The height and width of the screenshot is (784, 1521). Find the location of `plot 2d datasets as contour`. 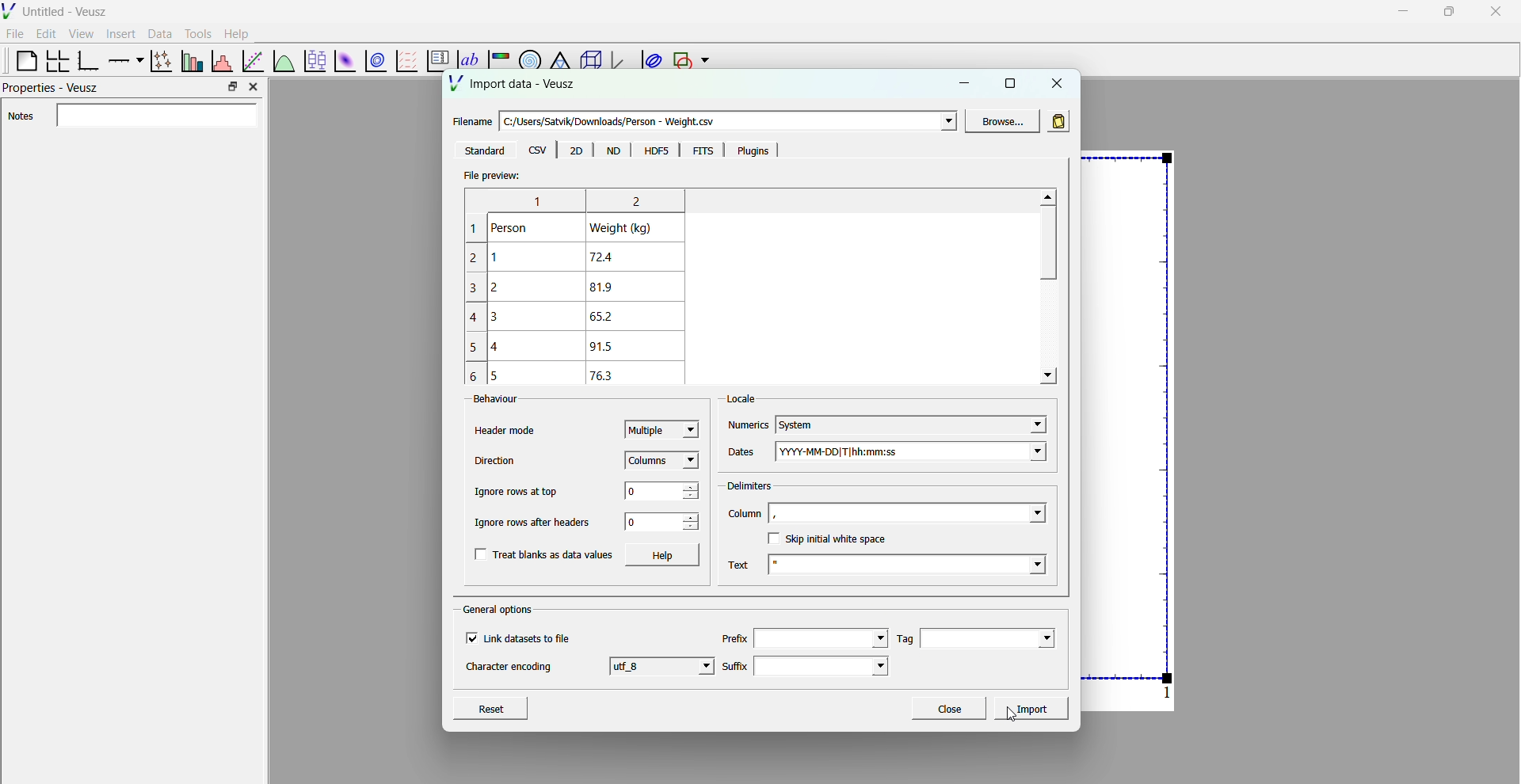

plot 2d datasets as contour is located at coordinates (376, 62).